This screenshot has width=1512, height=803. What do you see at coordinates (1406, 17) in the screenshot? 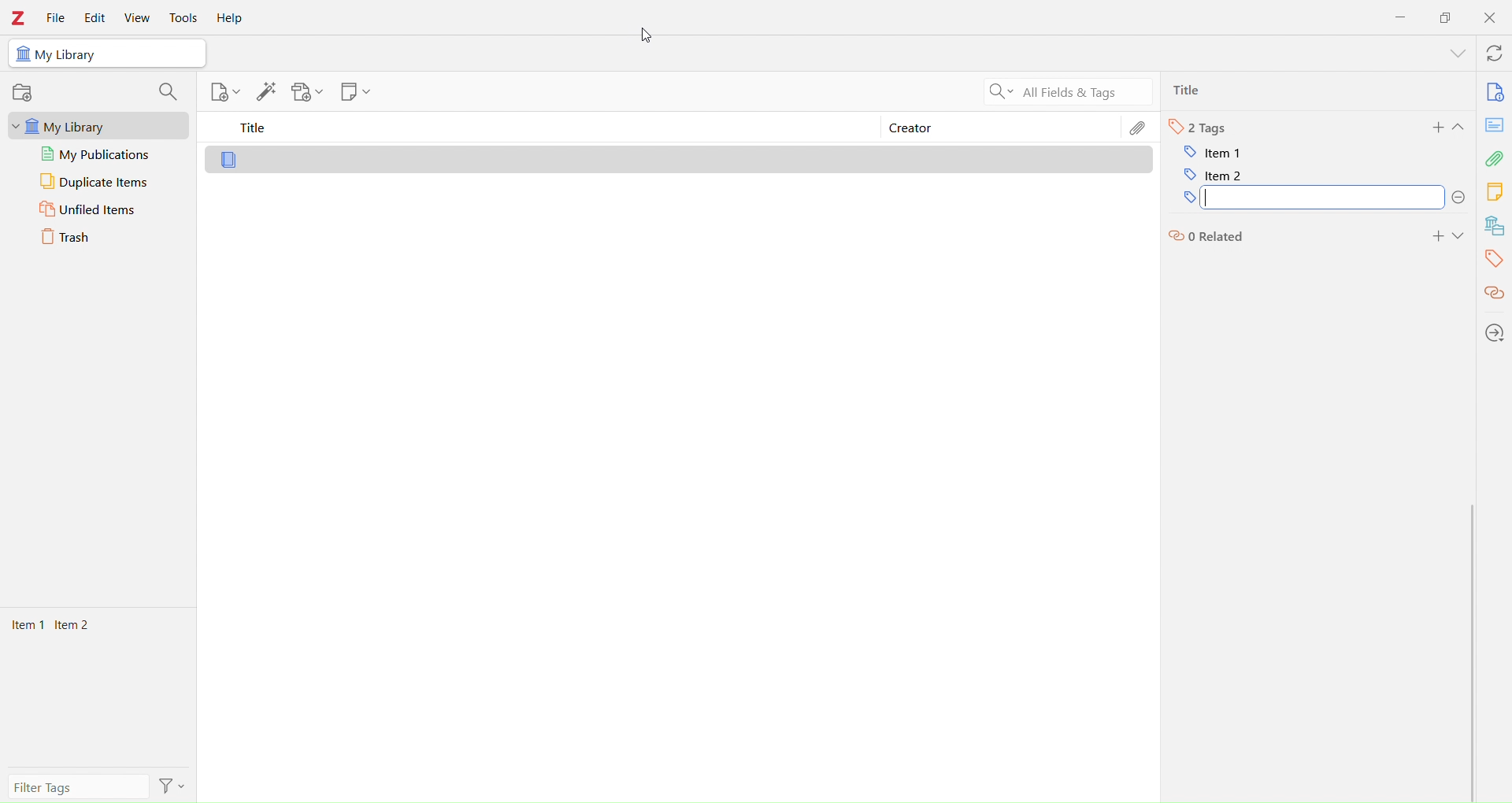
I see `` at bounding box center [1406, 17].